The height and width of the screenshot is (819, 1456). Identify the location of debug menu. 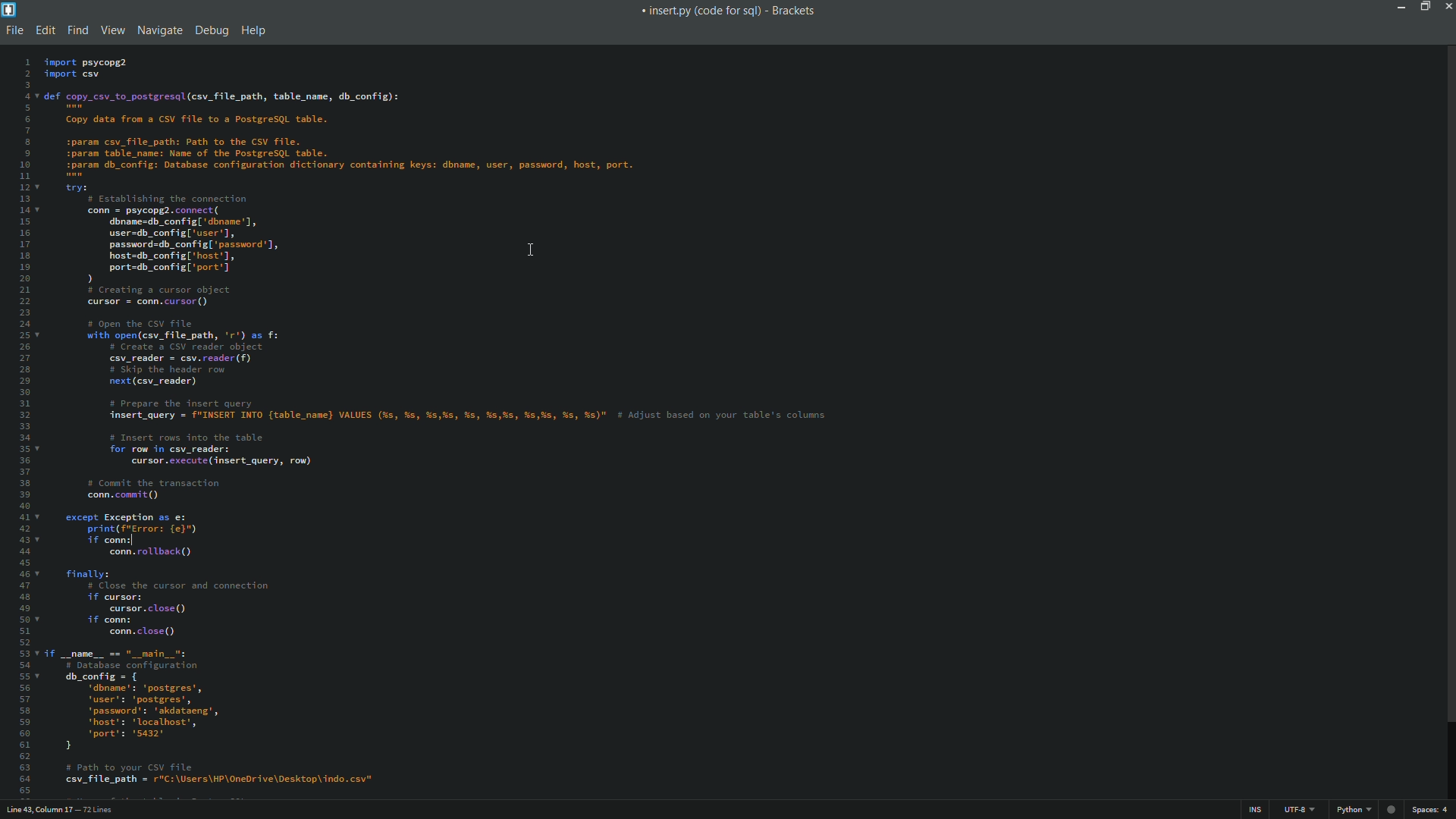
(212, 30).